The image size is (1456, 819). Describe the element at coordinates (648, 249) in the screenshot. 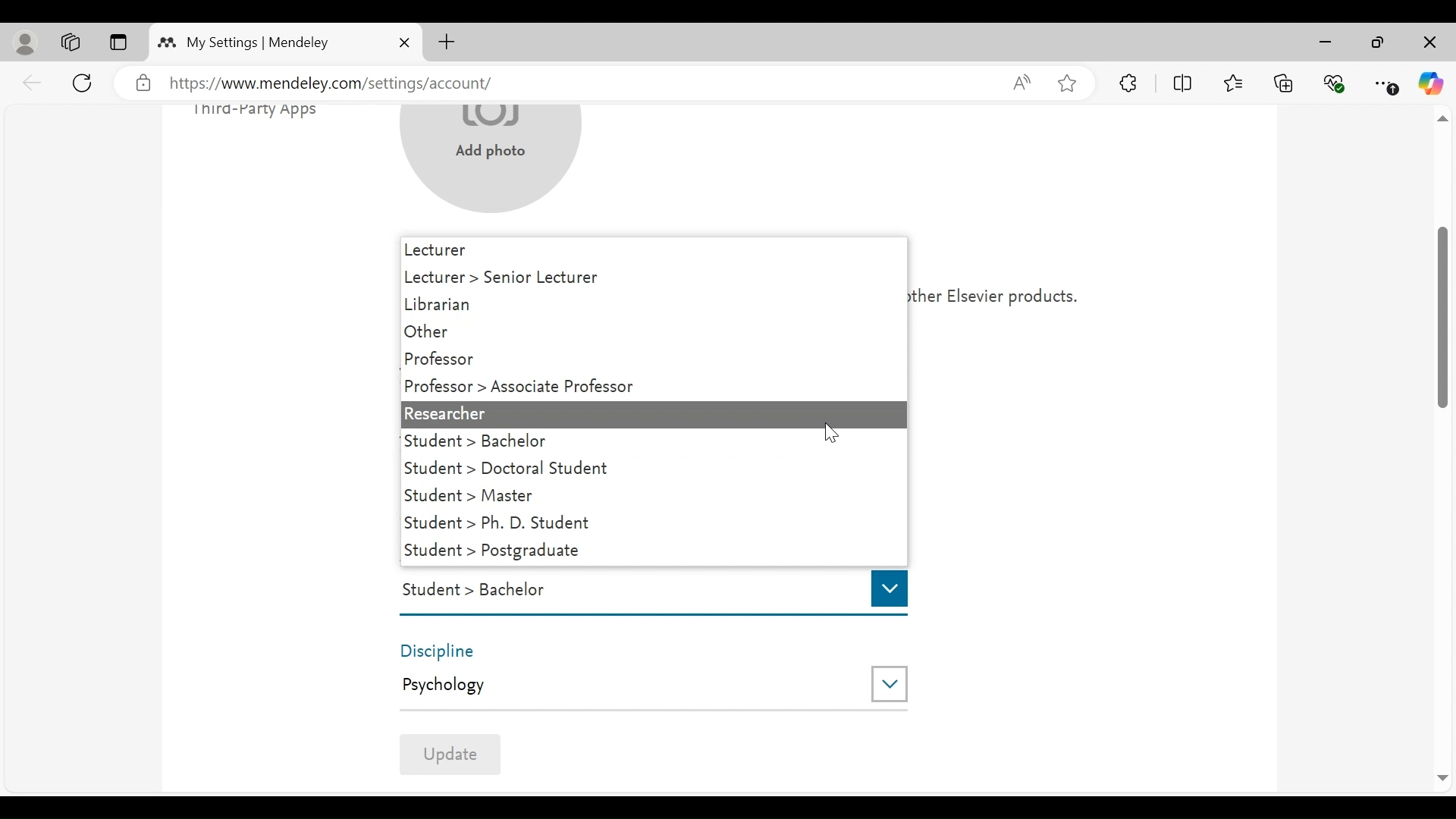

I see `Lecture` at that location.